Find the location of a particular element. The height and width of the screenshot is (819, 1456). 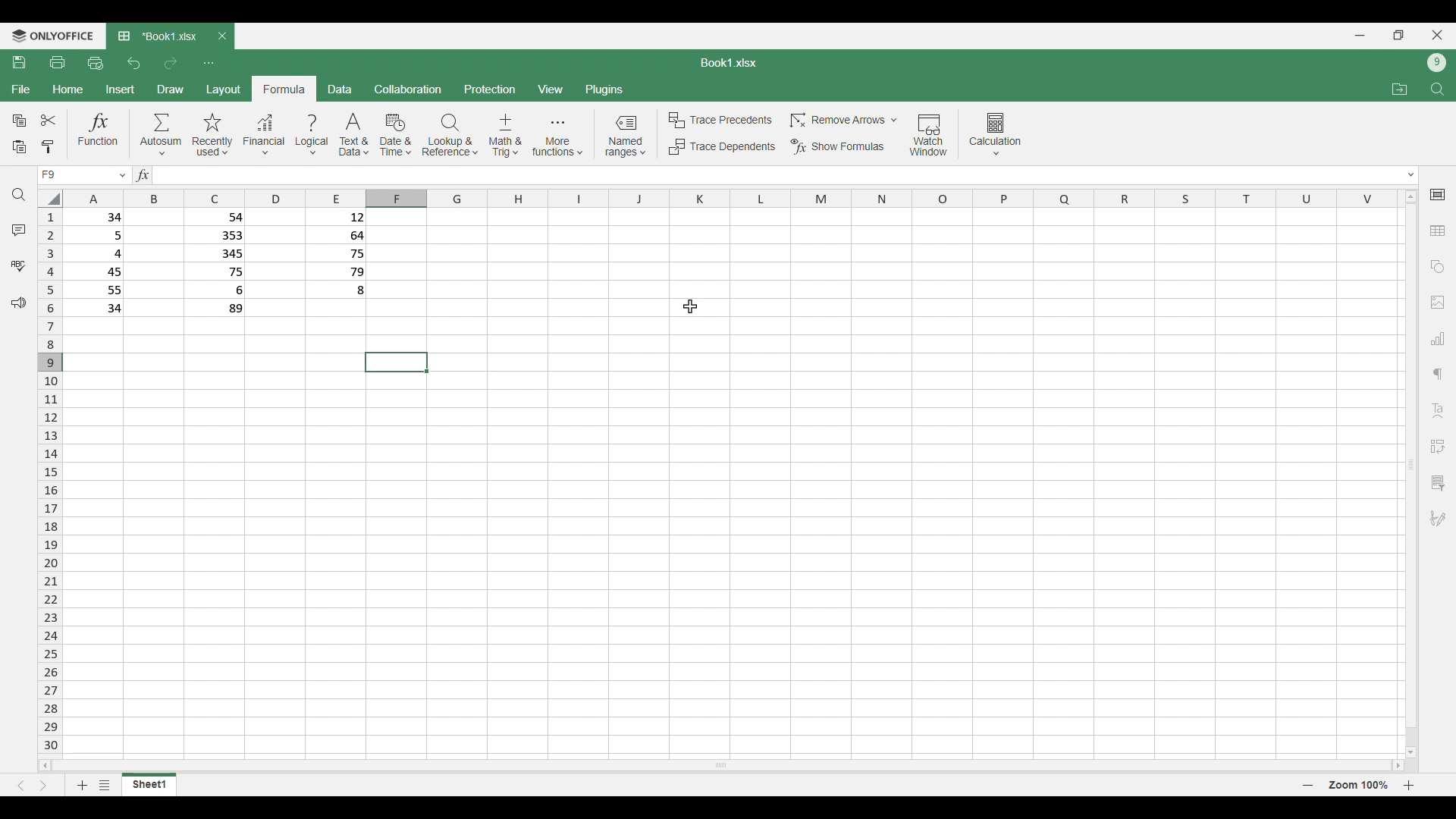

Cursor is located at coordinates (690, 306).